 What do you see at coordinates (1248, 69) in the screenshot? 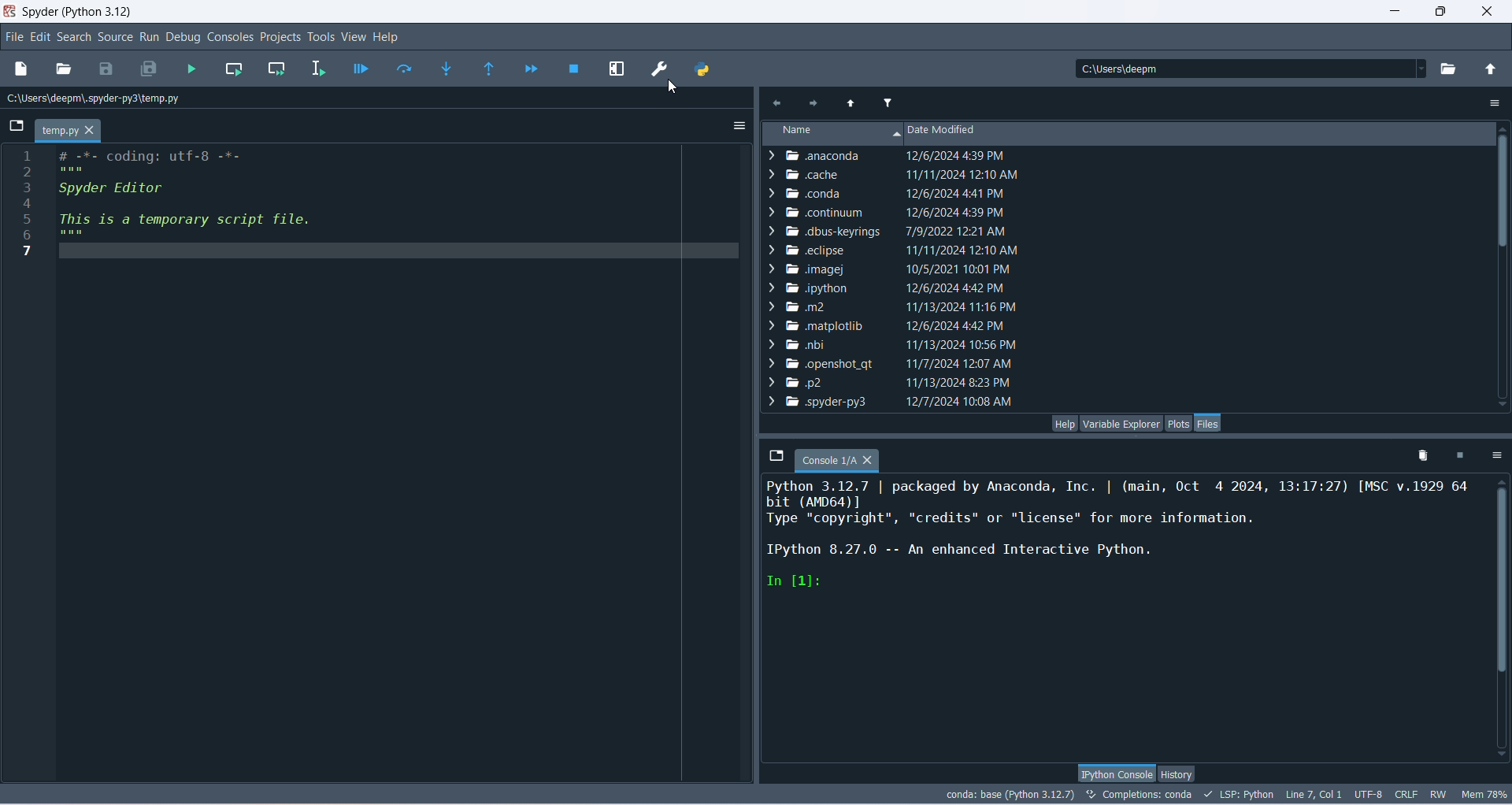
I see `location` at bounding box center [1248, 69].